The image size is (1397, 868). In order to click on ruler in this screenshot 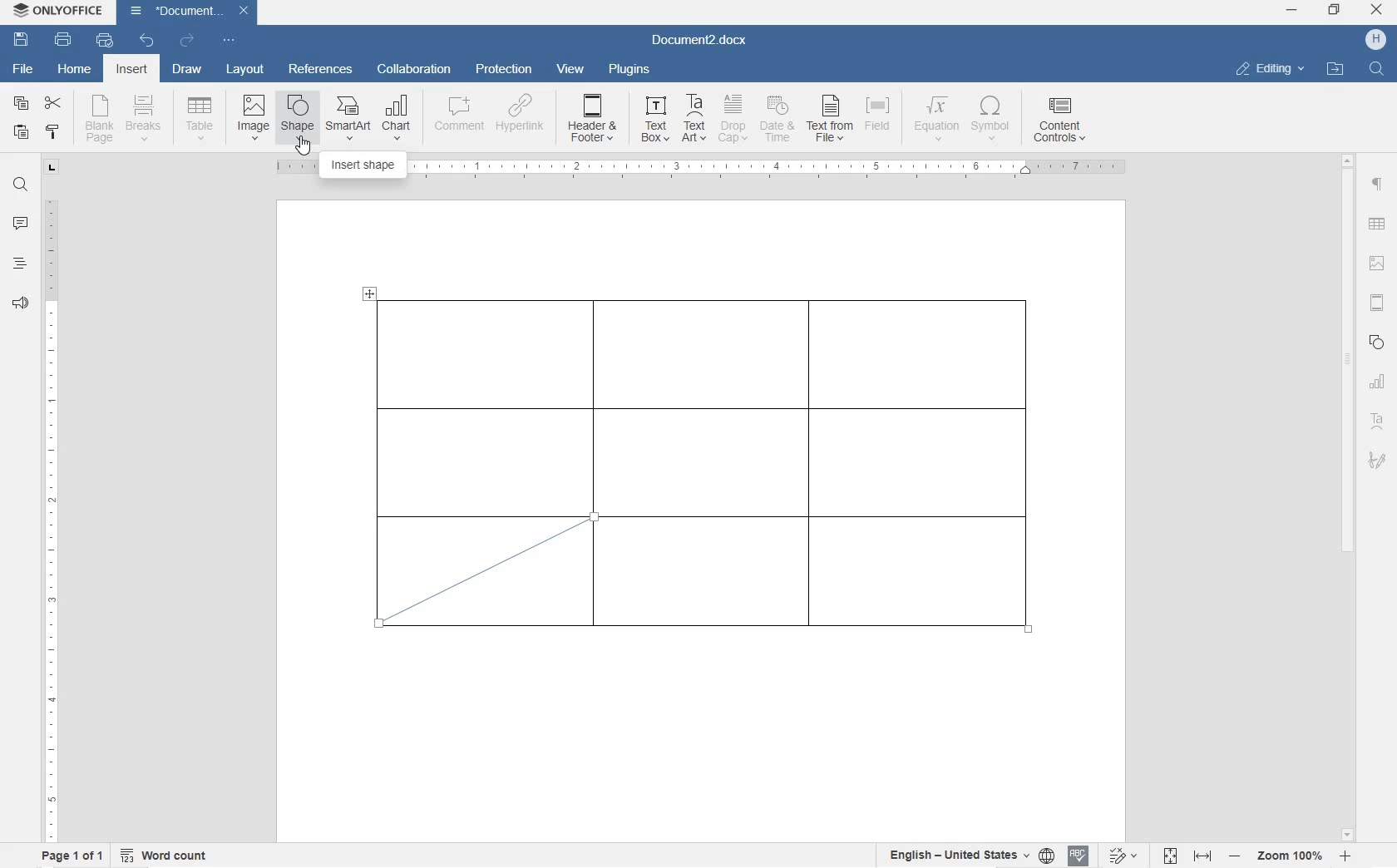, I will do `click(779, 170)`.